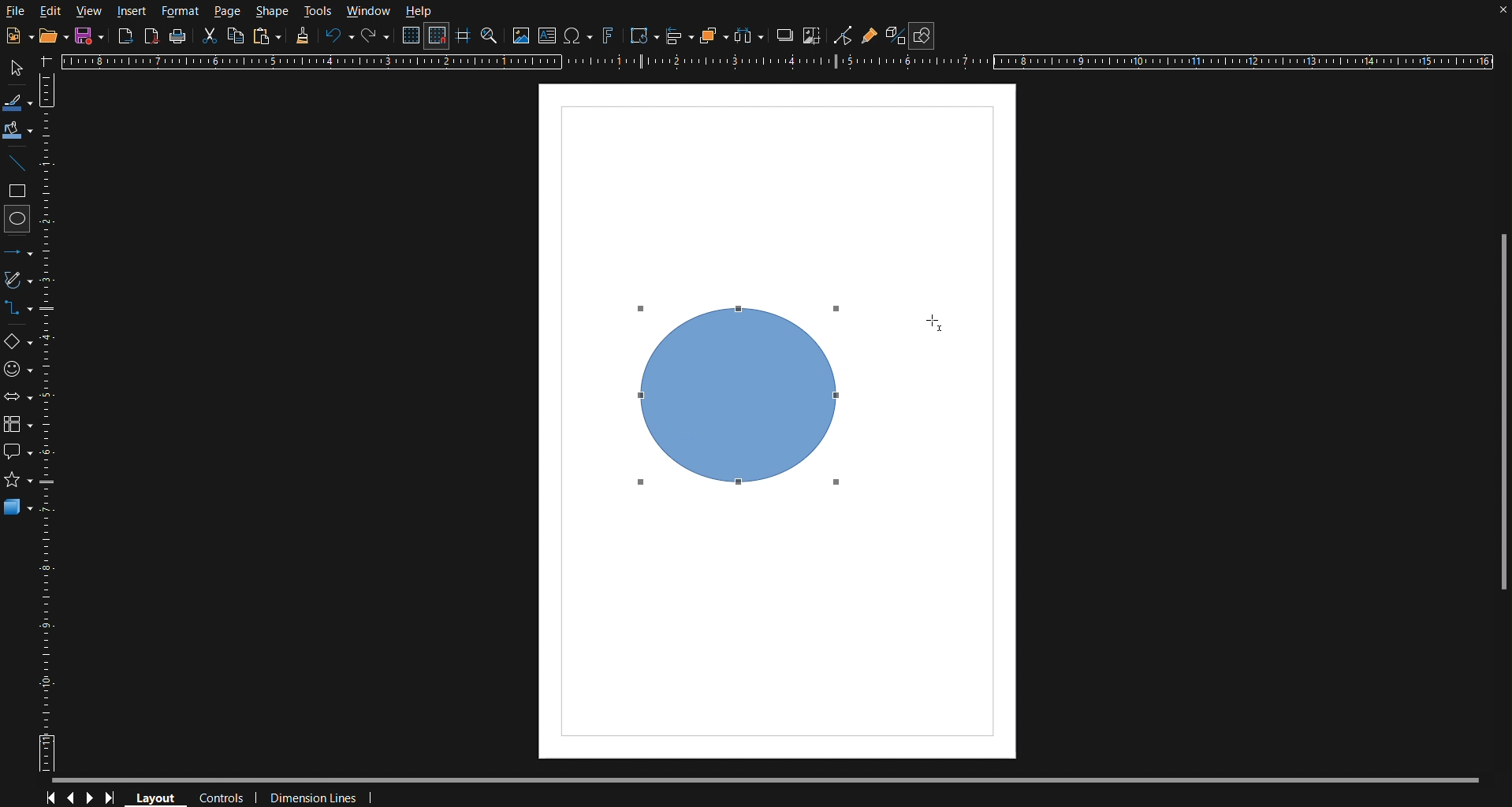 The width and height of the screenshot is (1512, 807). Describe the element at coordinates (15, 33) in the screenshot. I see `New` at that location.